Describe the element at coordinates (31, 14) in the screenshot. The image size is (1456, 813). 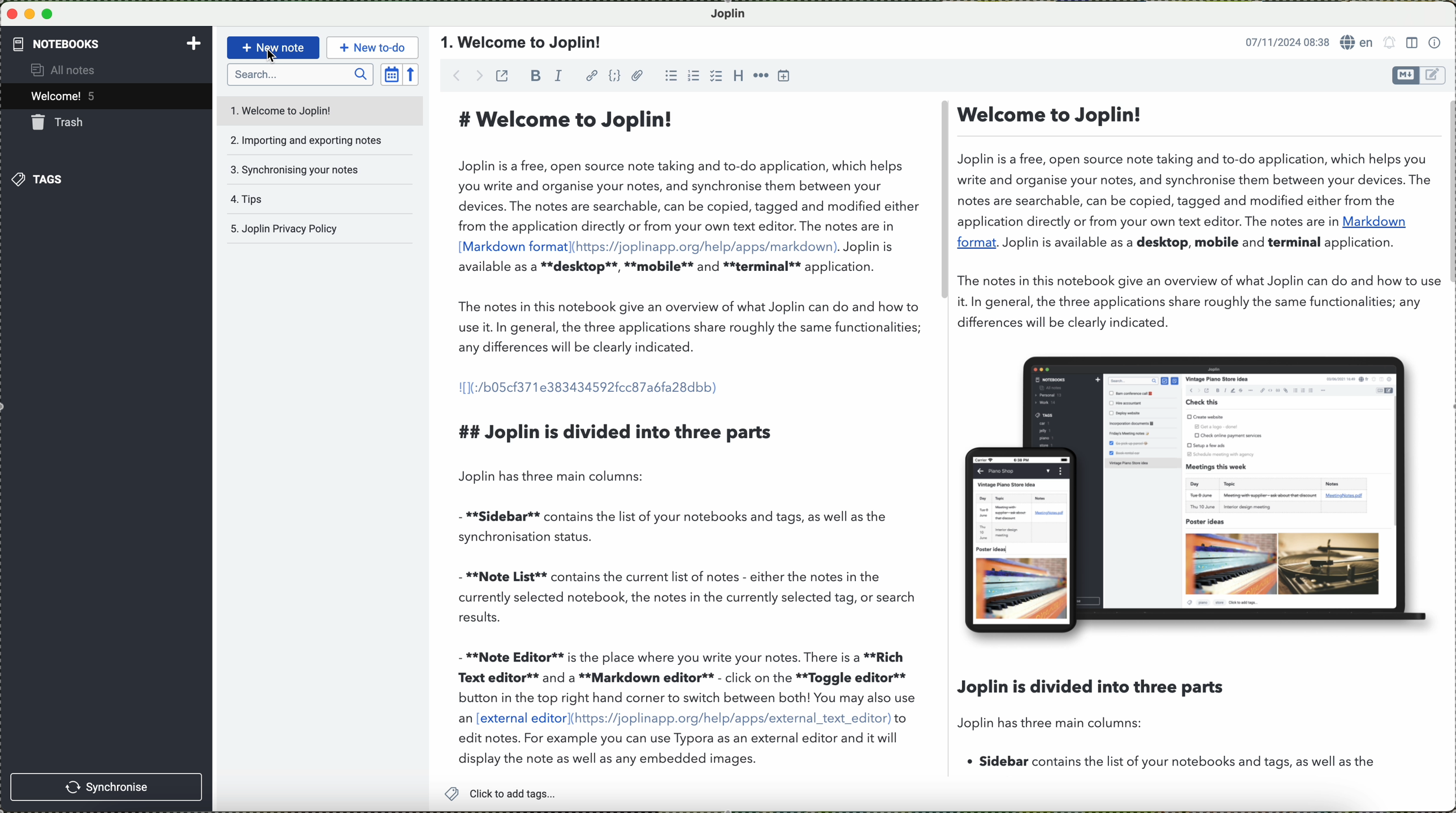
I see `minimize` at that location.